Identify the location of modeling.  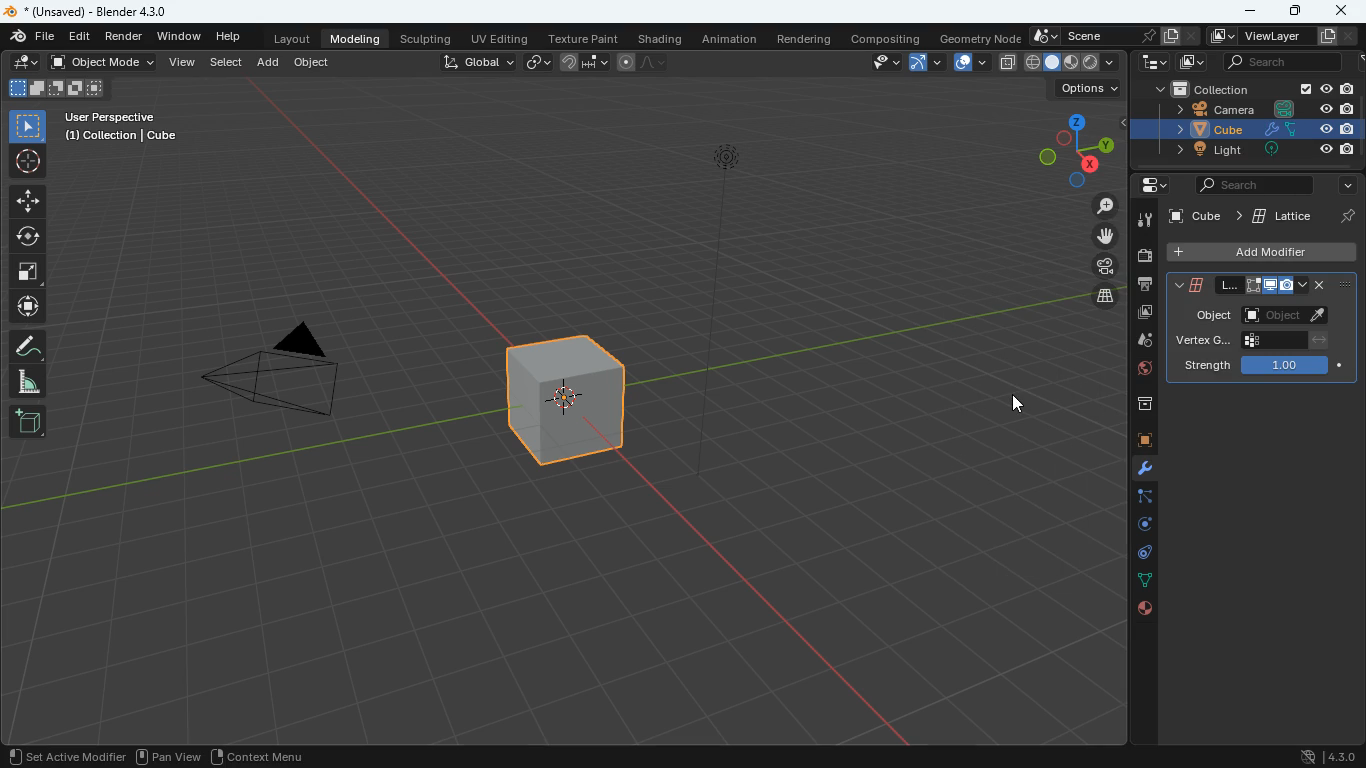
(356, 38).